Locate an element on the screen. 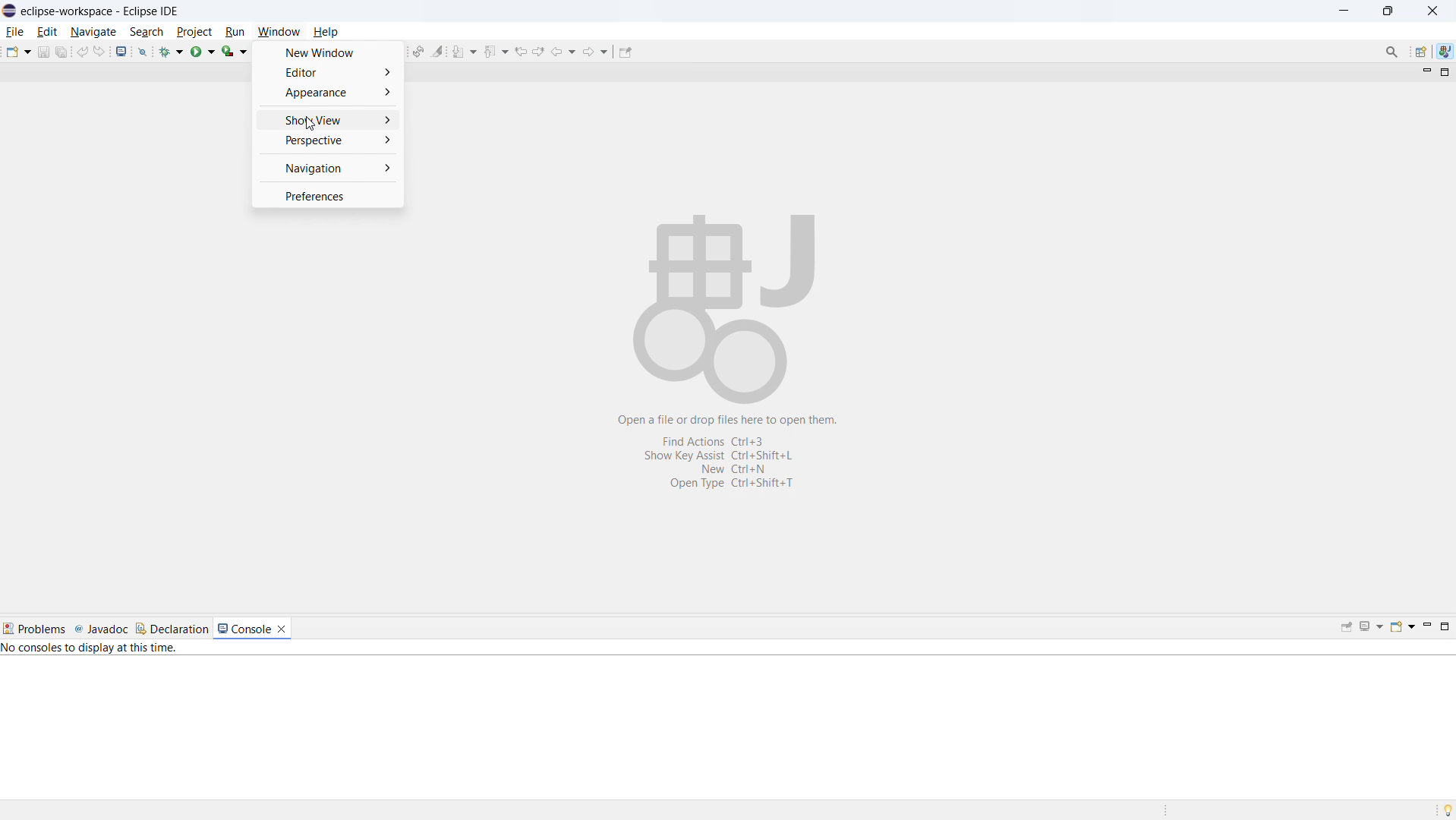 Image resolution: width=1456 pixels, height=820 pixels. appearance is located at coordinates (329, 92).